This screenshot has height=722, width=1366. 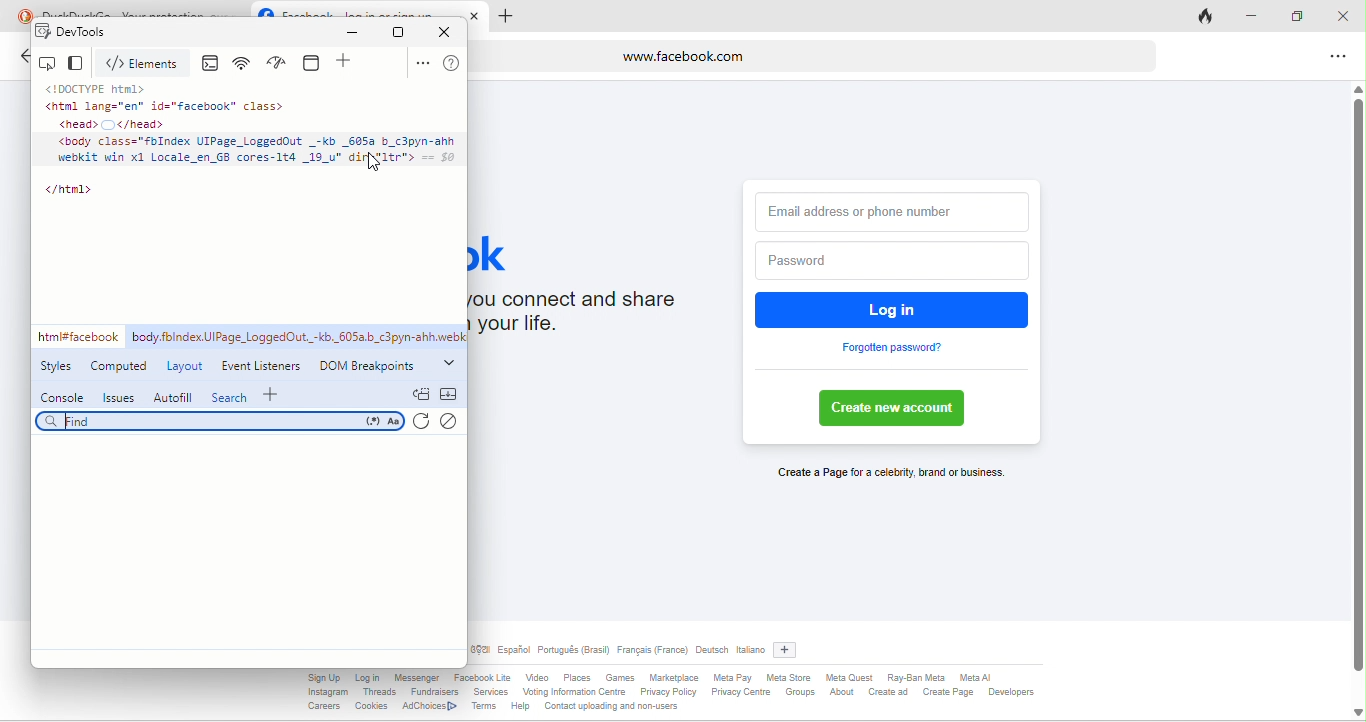 I want to click on collapse, so click(x=449, y=394).